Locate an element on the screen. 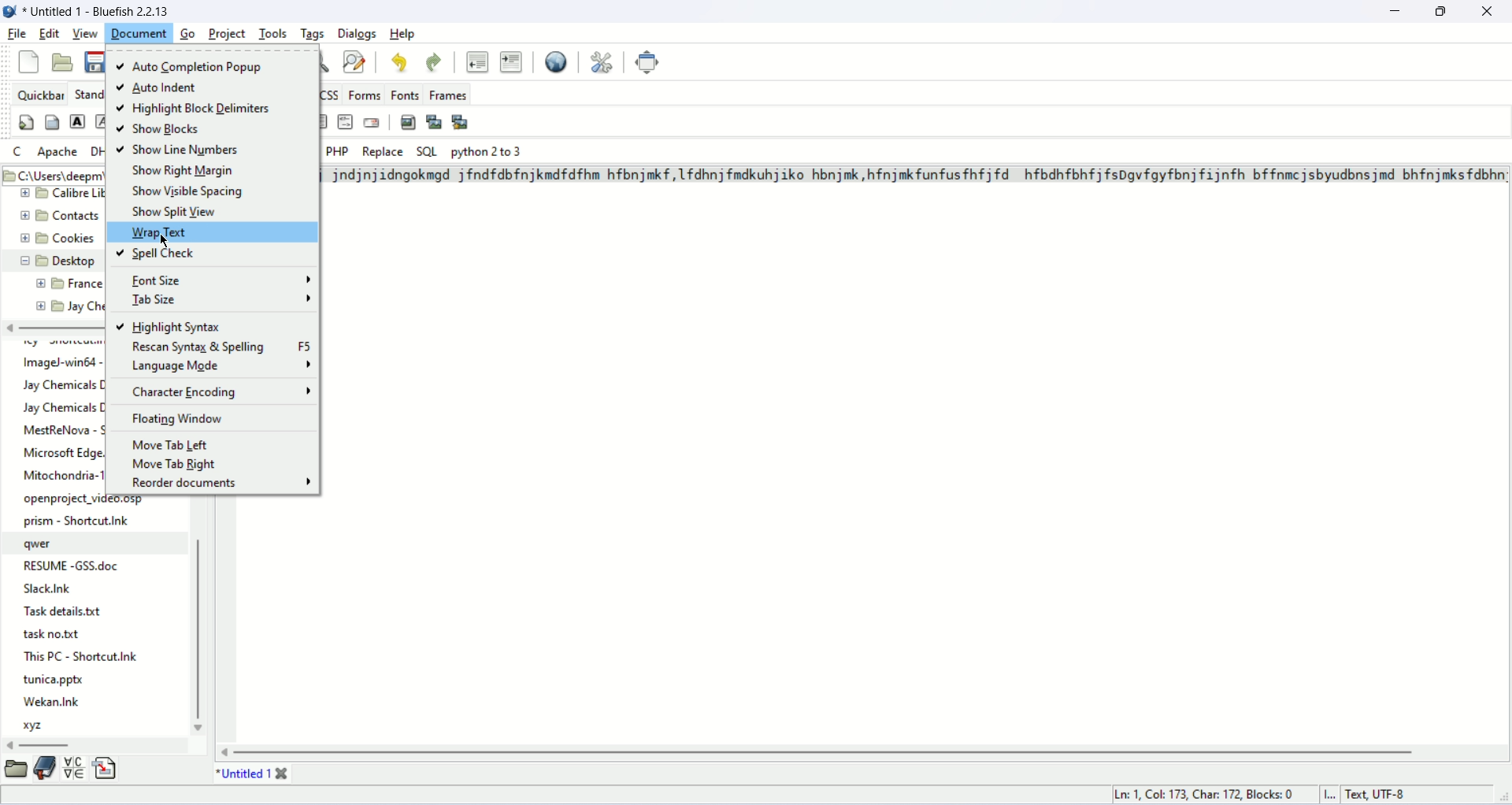 This screenshot has height=805, width=1512. show line number is located at coordinates (179, 149).